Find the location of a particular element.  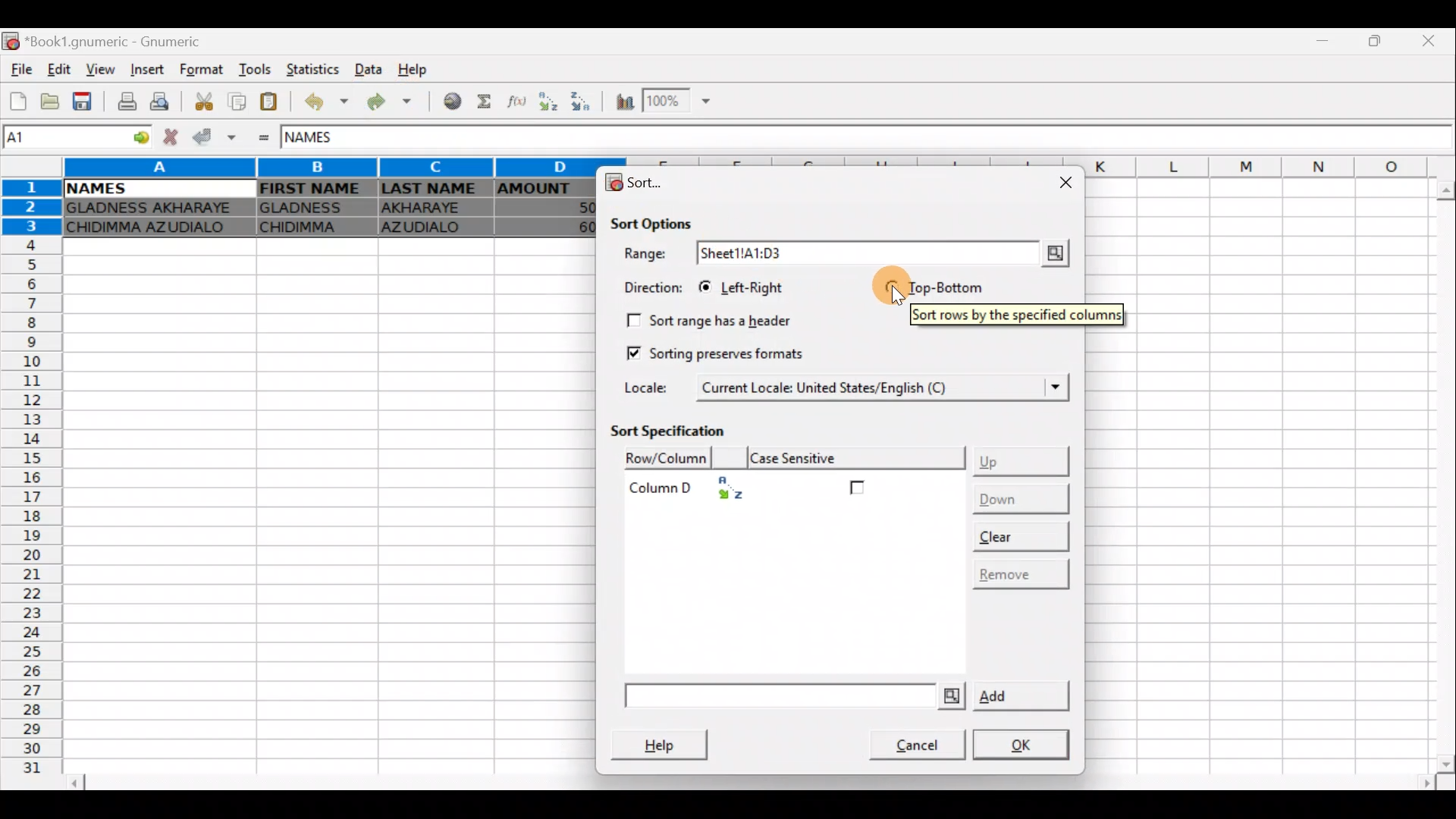

Open a file is located at coordinates (52, 101).